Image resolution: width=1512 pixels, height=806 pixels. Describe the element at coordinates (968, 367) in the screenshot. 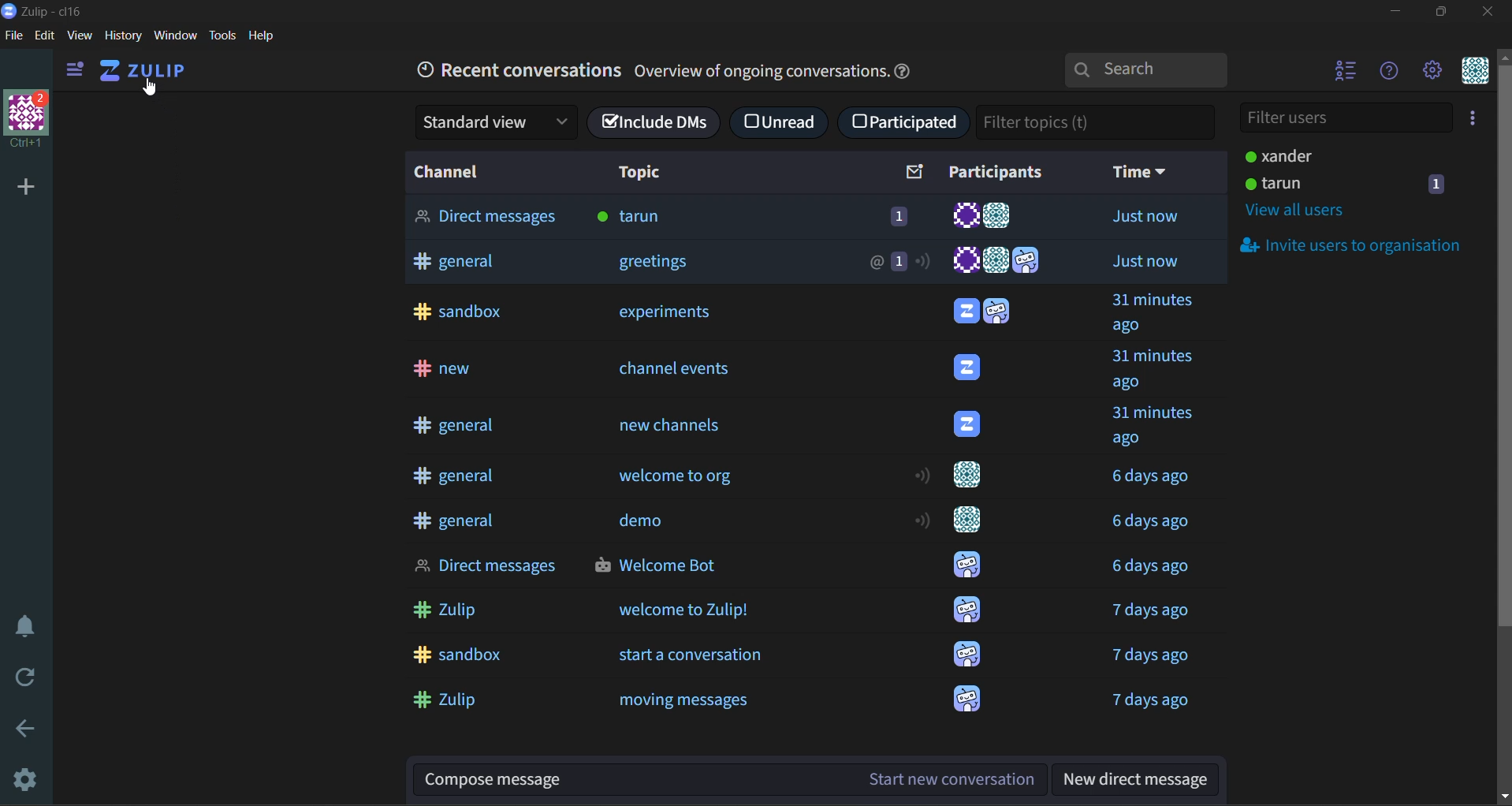

I see `User` at that location.